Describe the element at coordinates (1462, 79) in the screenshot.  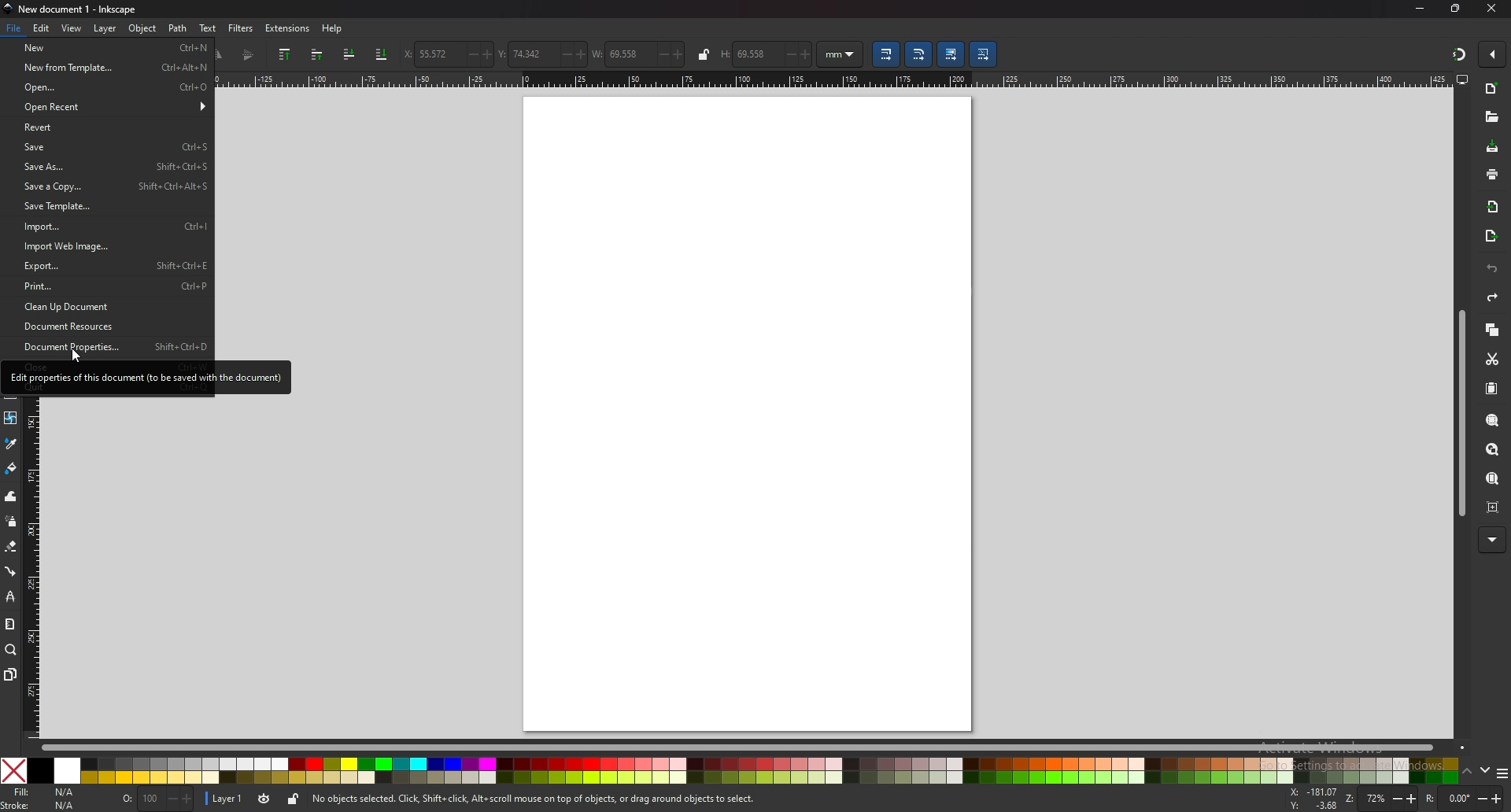
I see `display options` at that location.